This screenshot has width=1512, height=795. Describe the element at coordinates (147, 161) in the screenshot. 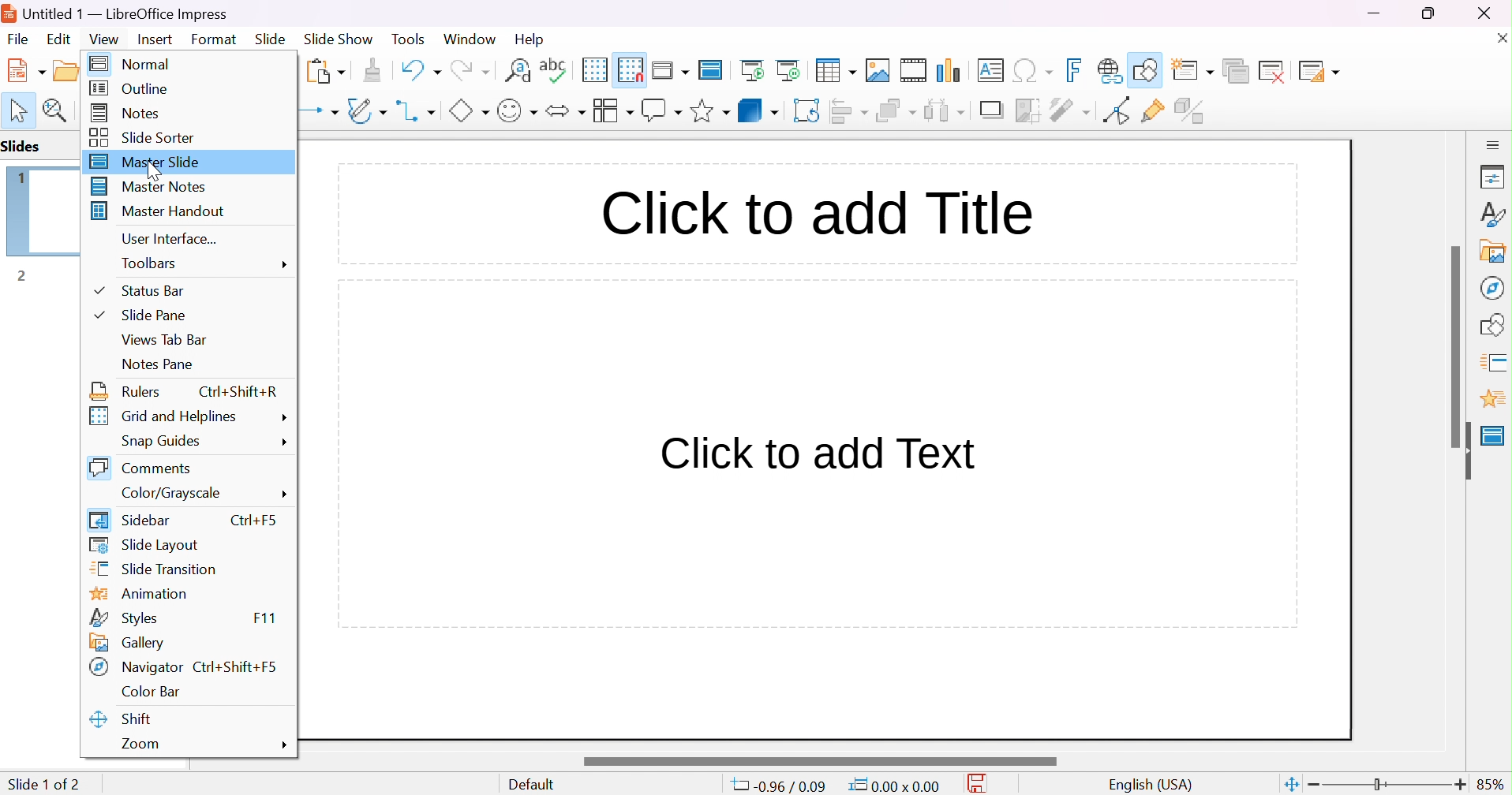

I see `master slide` at that location.